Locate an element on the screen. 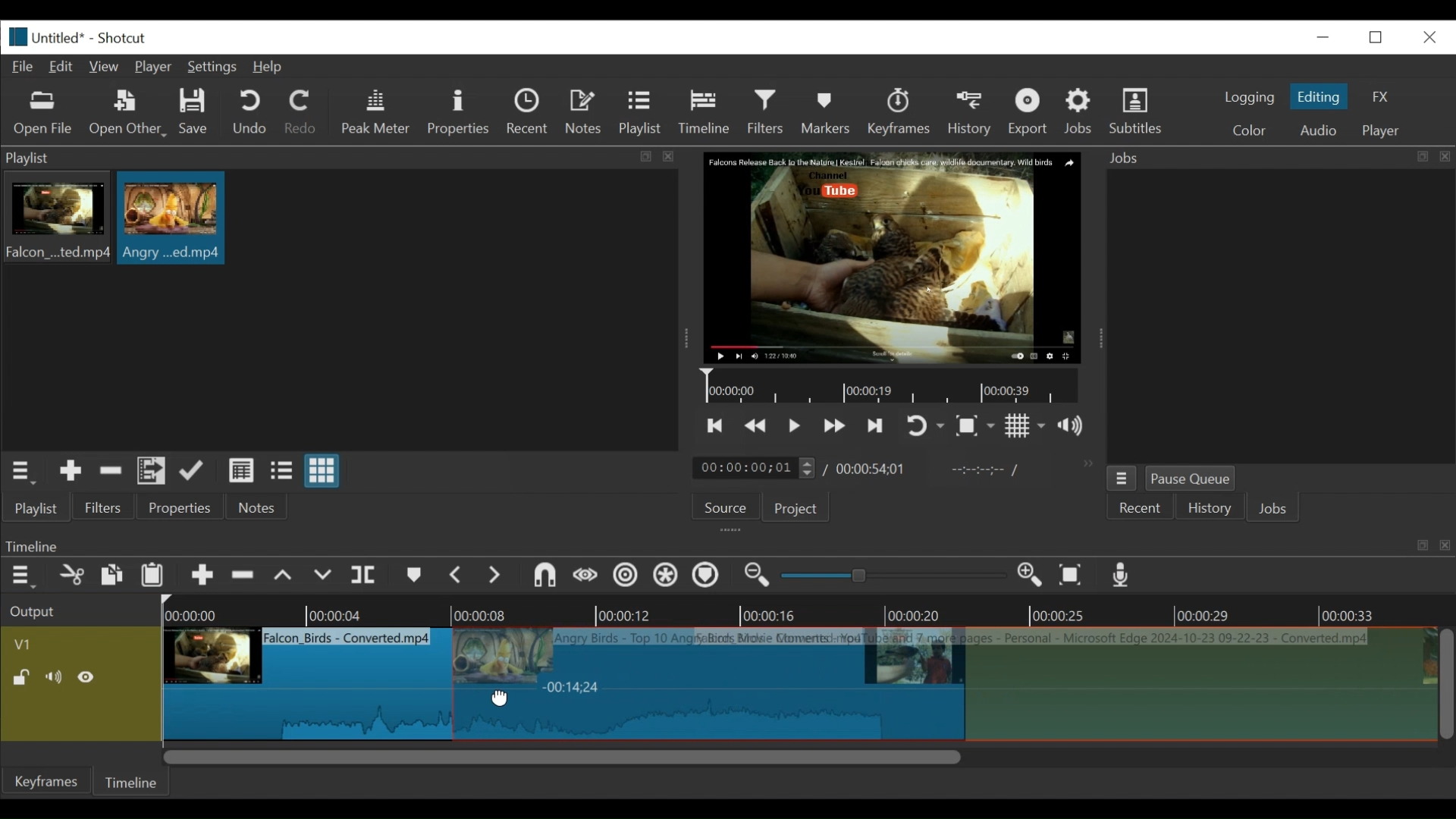 Image resolution: width=1456 pixels, height=819 pixels. Peak Meter is located at coordinates (378, 112).